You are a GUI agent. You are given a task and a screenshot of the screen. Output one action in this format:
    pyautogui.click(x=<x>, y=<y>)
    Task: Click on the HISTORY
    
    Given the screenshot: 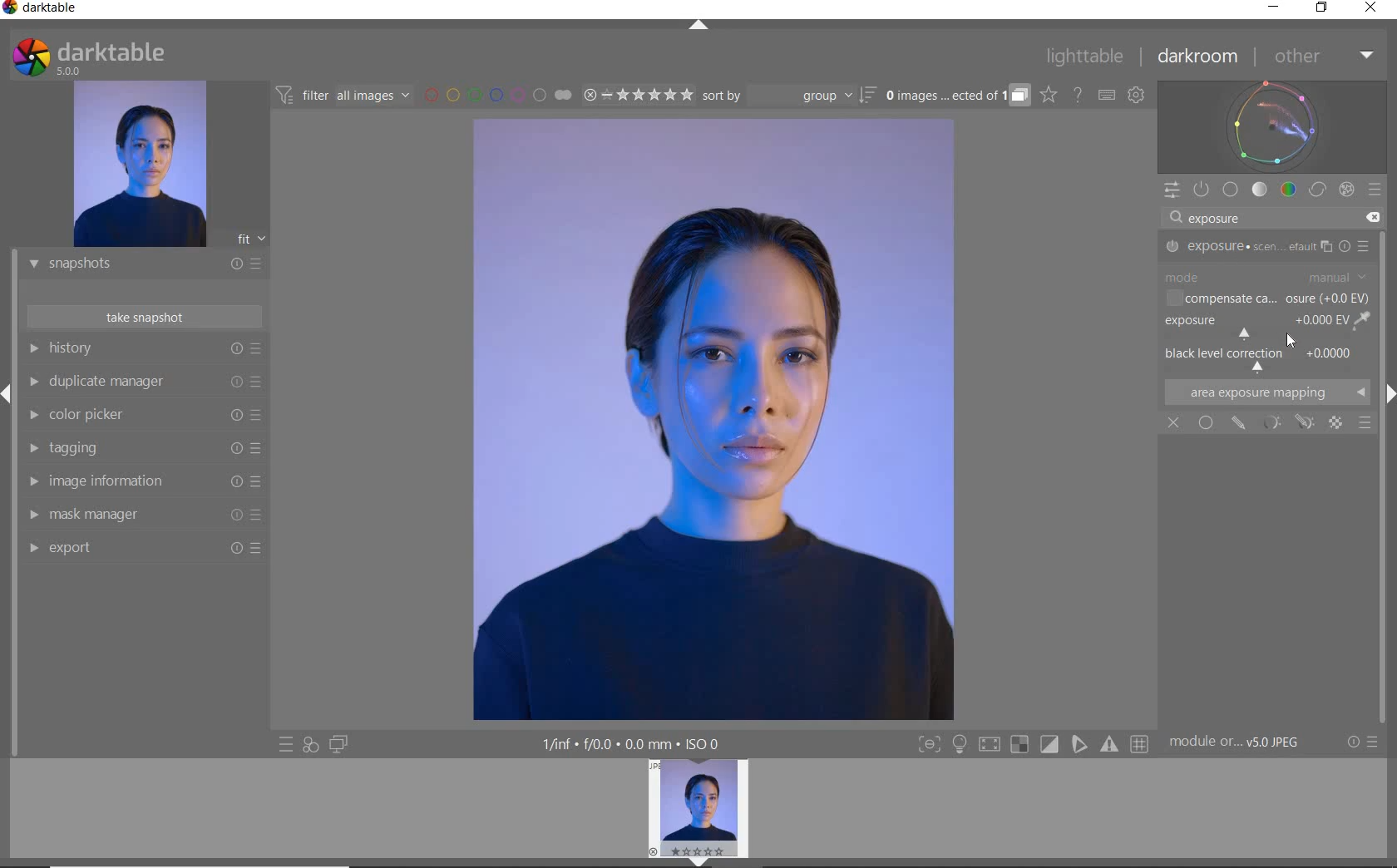 What is the action you would take?
    pyautogui.click(x=146, y=352)
    